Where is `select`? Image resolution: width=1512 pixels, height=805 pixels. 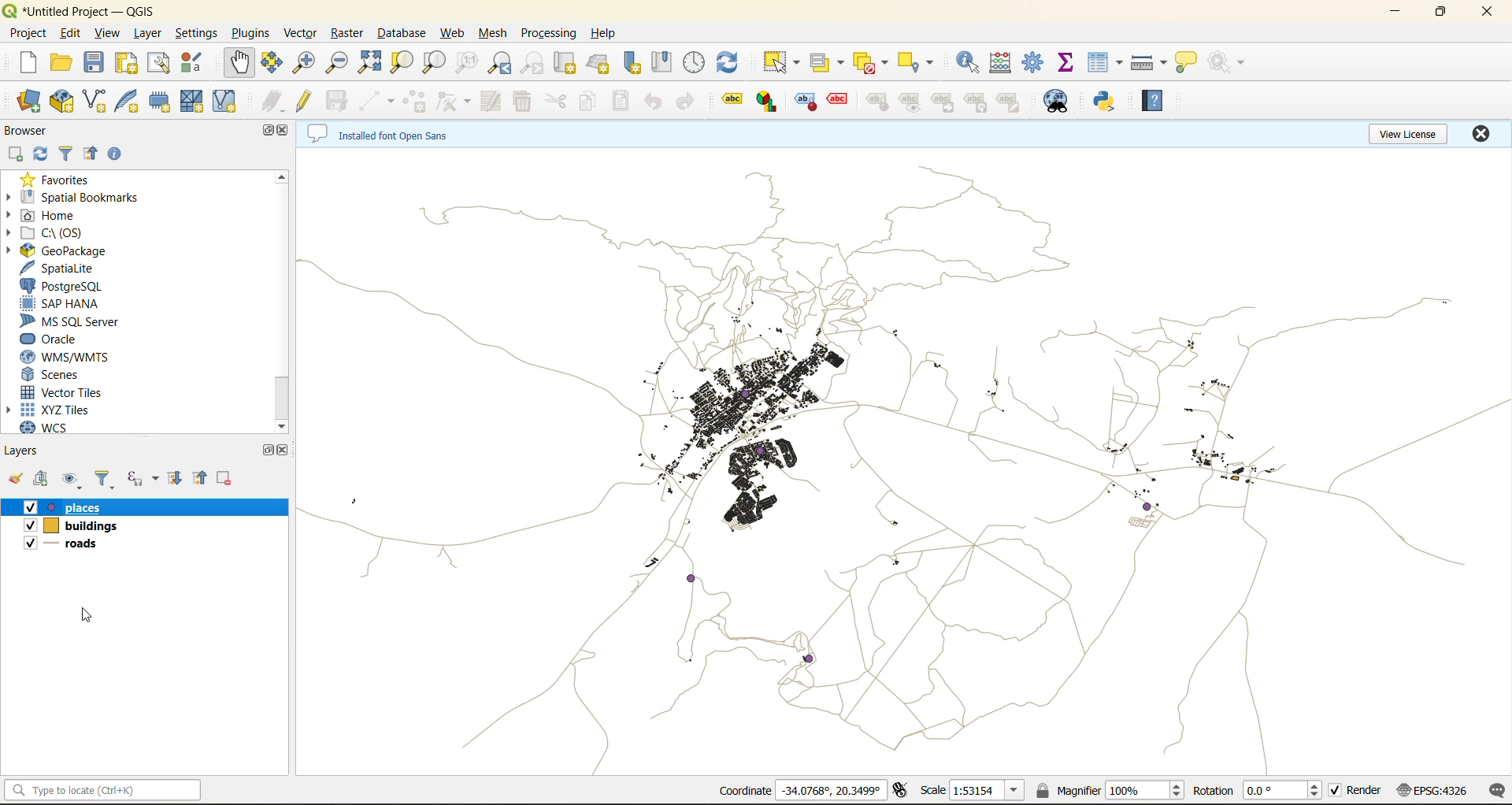
select is located at coordinates (779, 63).